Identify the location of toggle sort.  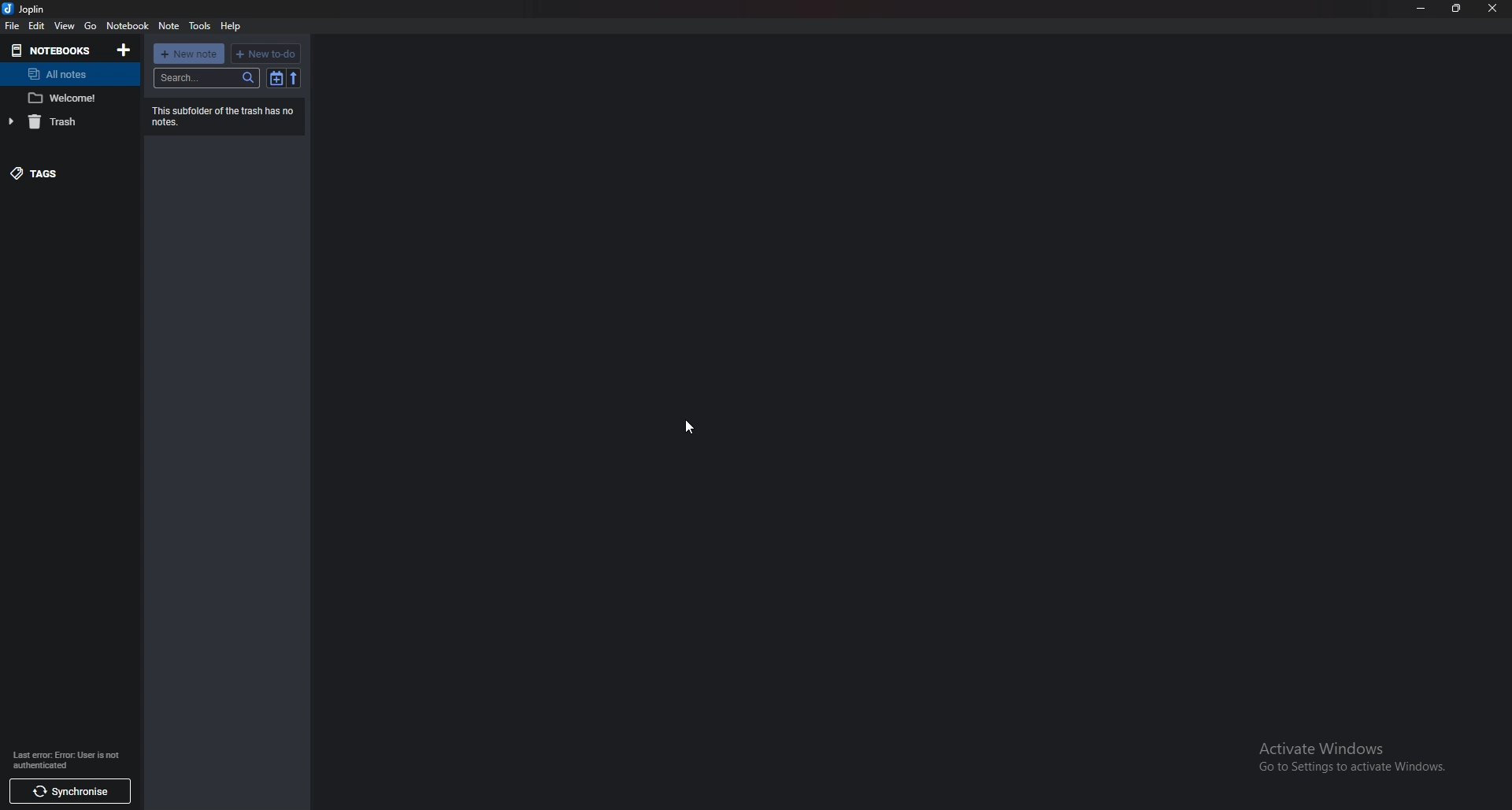
(276, 78).